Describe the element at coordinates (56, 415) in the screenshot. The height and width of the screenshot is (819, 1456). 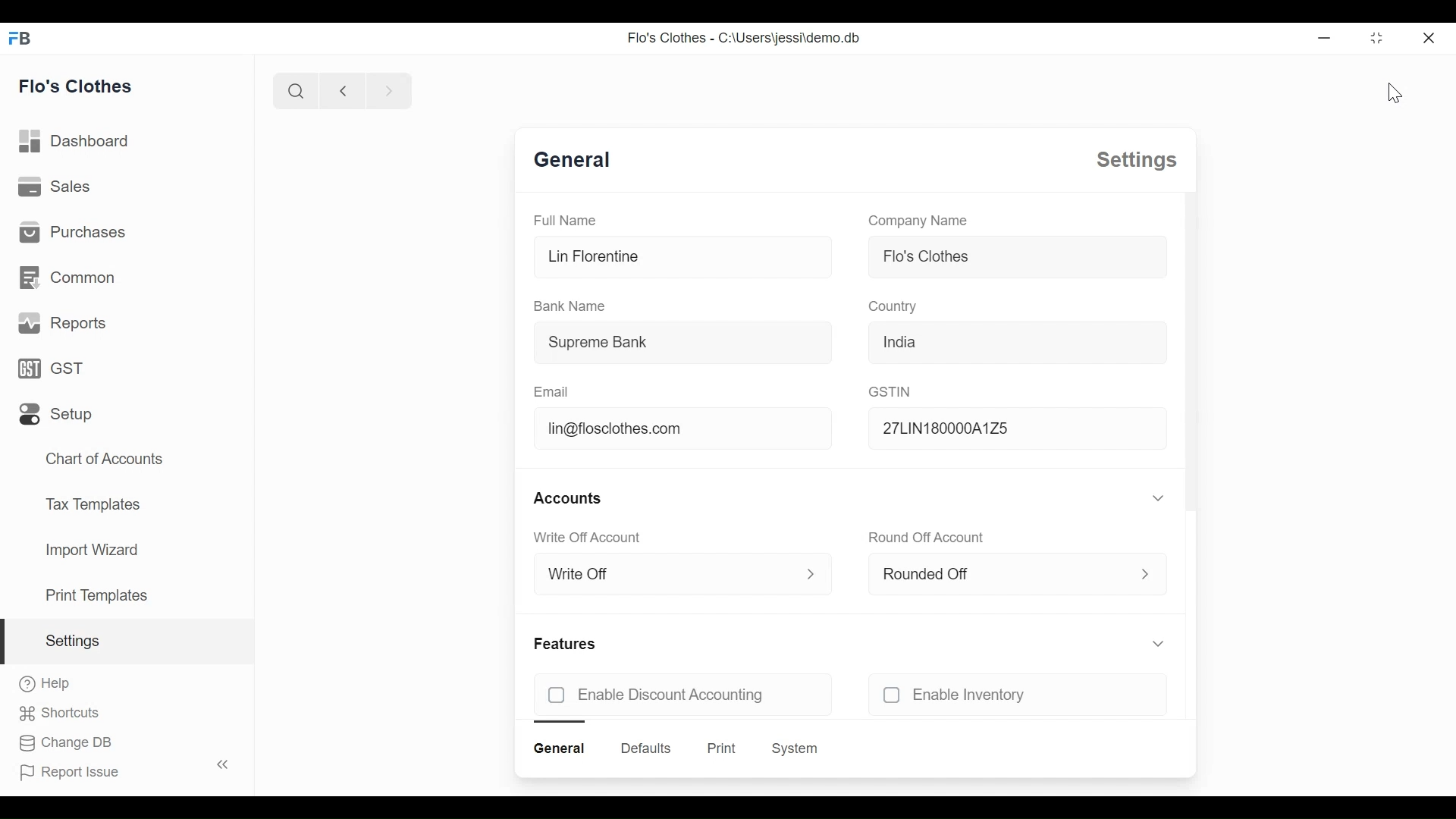
I see `setup` at that location.